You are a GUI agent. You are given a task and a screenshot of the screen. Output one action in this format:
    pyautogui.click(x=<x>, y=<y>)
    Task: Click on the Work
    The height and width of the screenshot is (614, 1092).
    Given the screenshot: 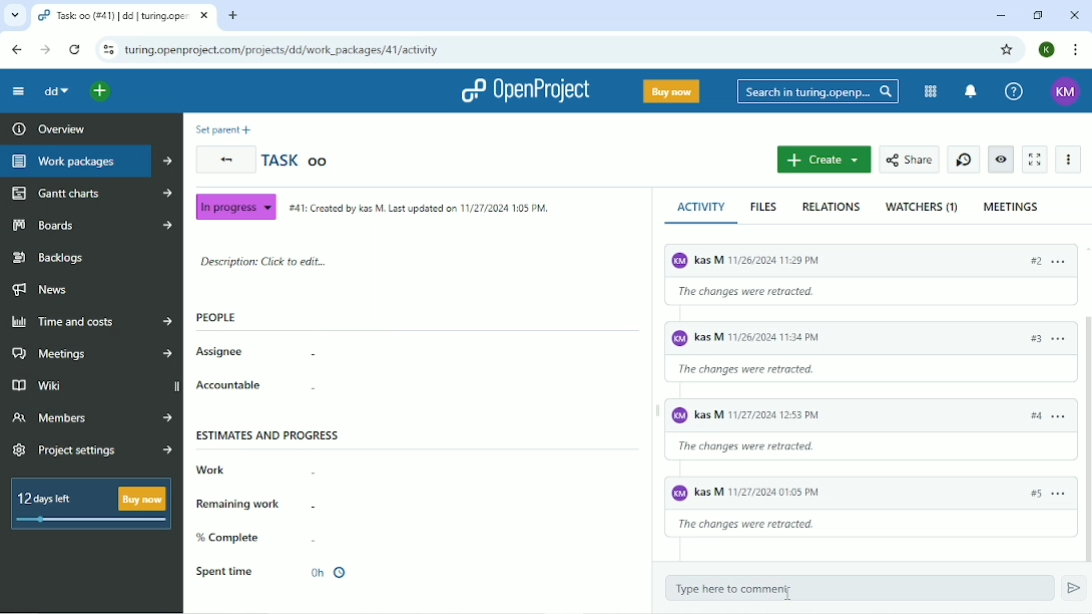 What is the action you would take?
    pyautogui.click(x=255, y=470)
    